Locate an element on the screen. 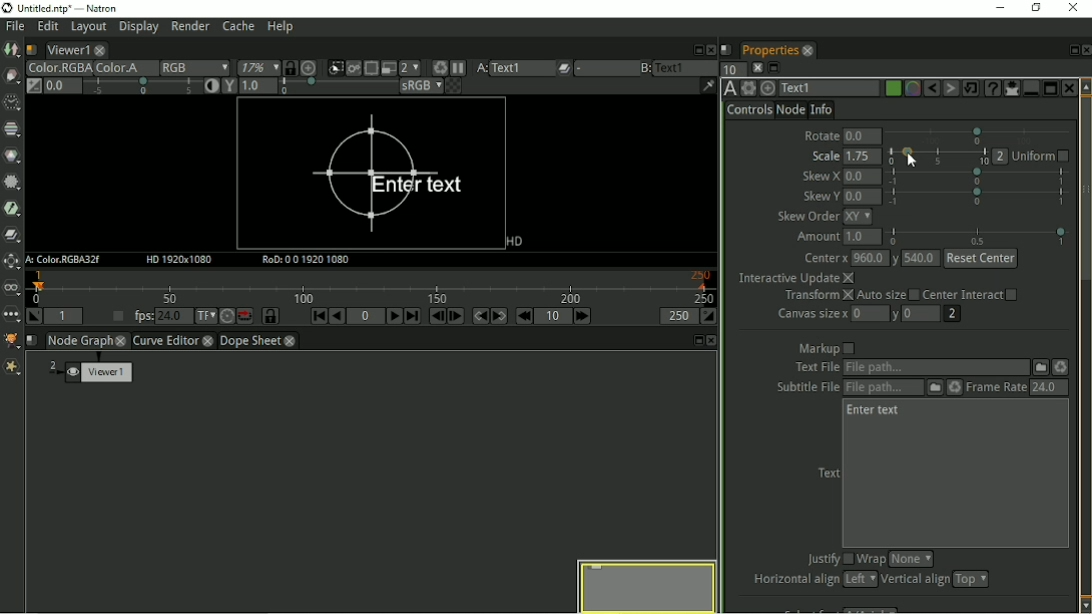  Other is located at coordinates (11, 315).